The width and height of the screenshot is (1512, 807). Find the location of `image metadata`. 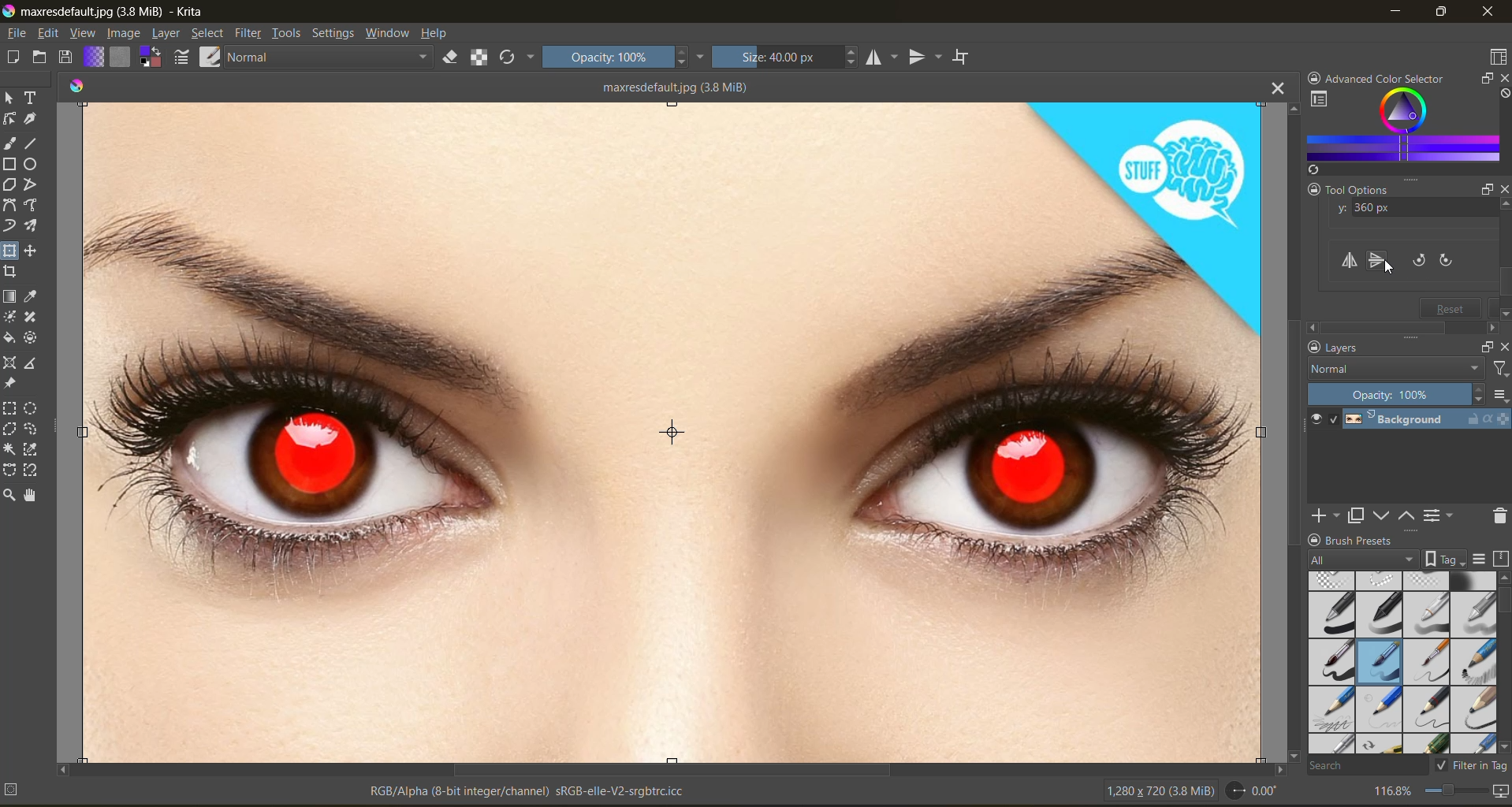

image metadata is located at coordinates (1159, 794).